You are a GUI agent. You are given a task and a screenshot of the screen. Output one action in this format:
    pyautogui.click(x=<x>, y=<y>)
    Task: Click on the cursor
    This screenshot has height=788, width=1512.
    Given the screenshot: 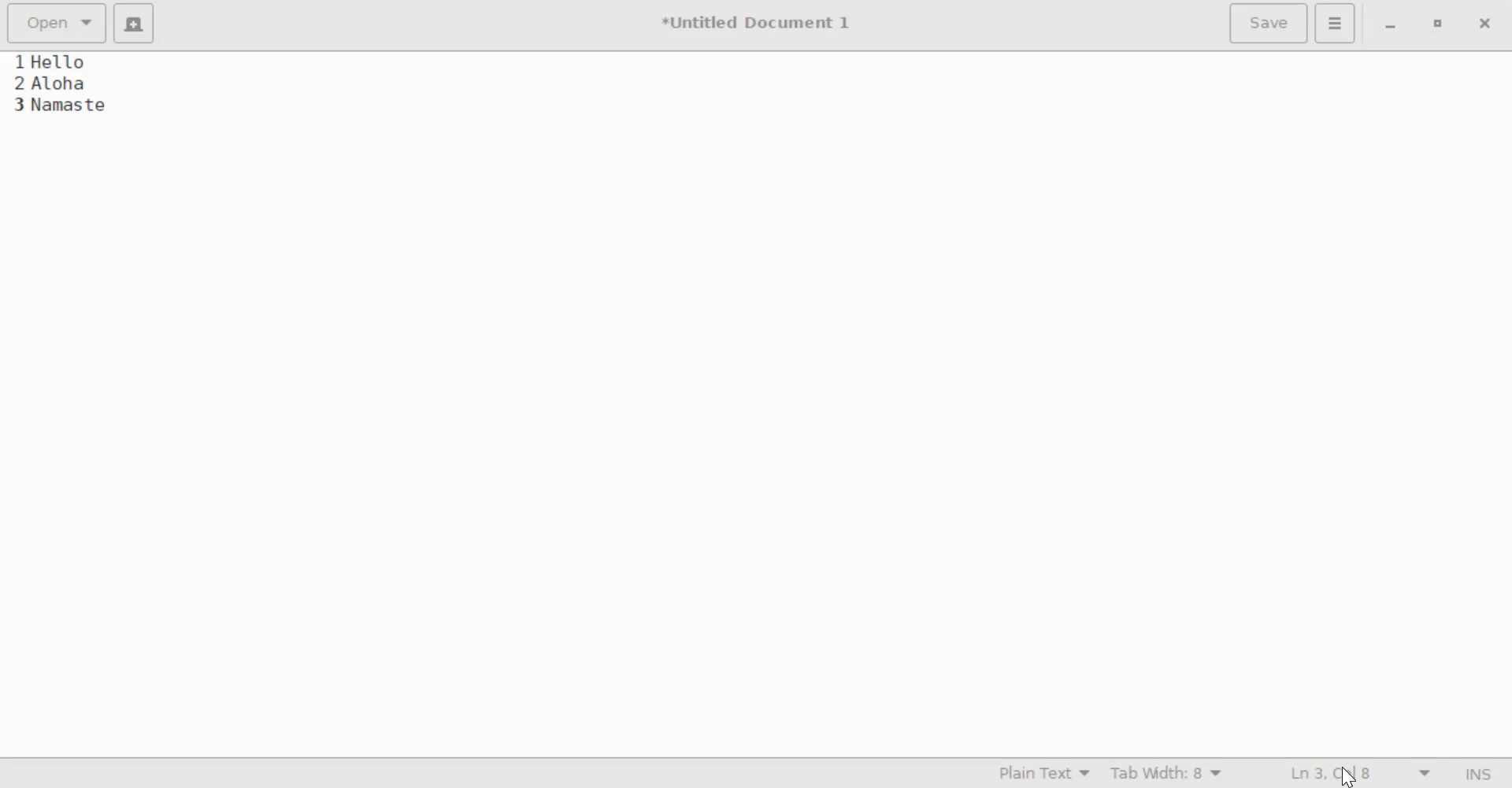 What is the action you would take?
    pyautogui.click(x=1347, y=777)
    